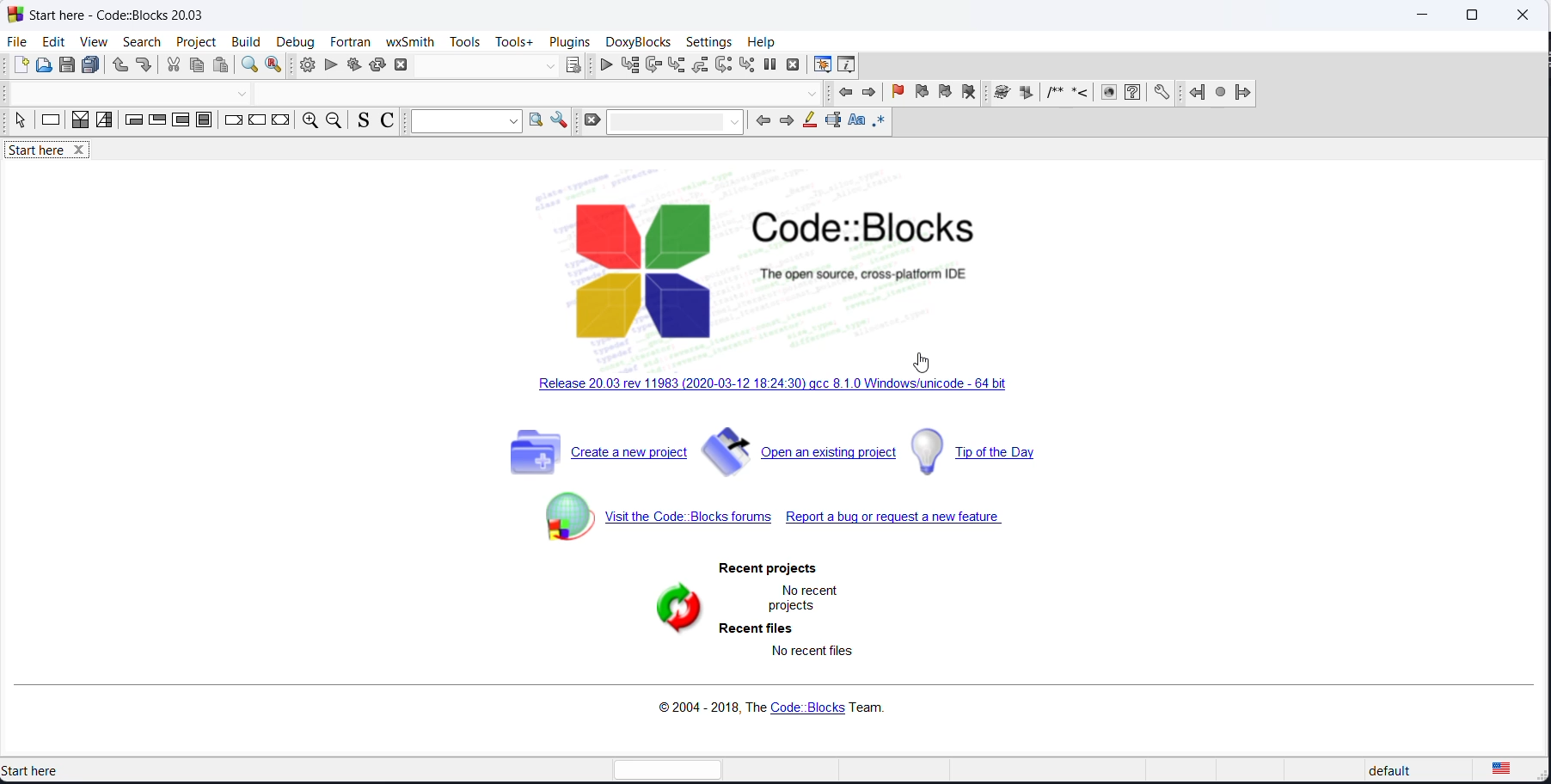 Image resolution: width=1551 pixels, height=784 pixels. I want to click on build, so click(307, 64).